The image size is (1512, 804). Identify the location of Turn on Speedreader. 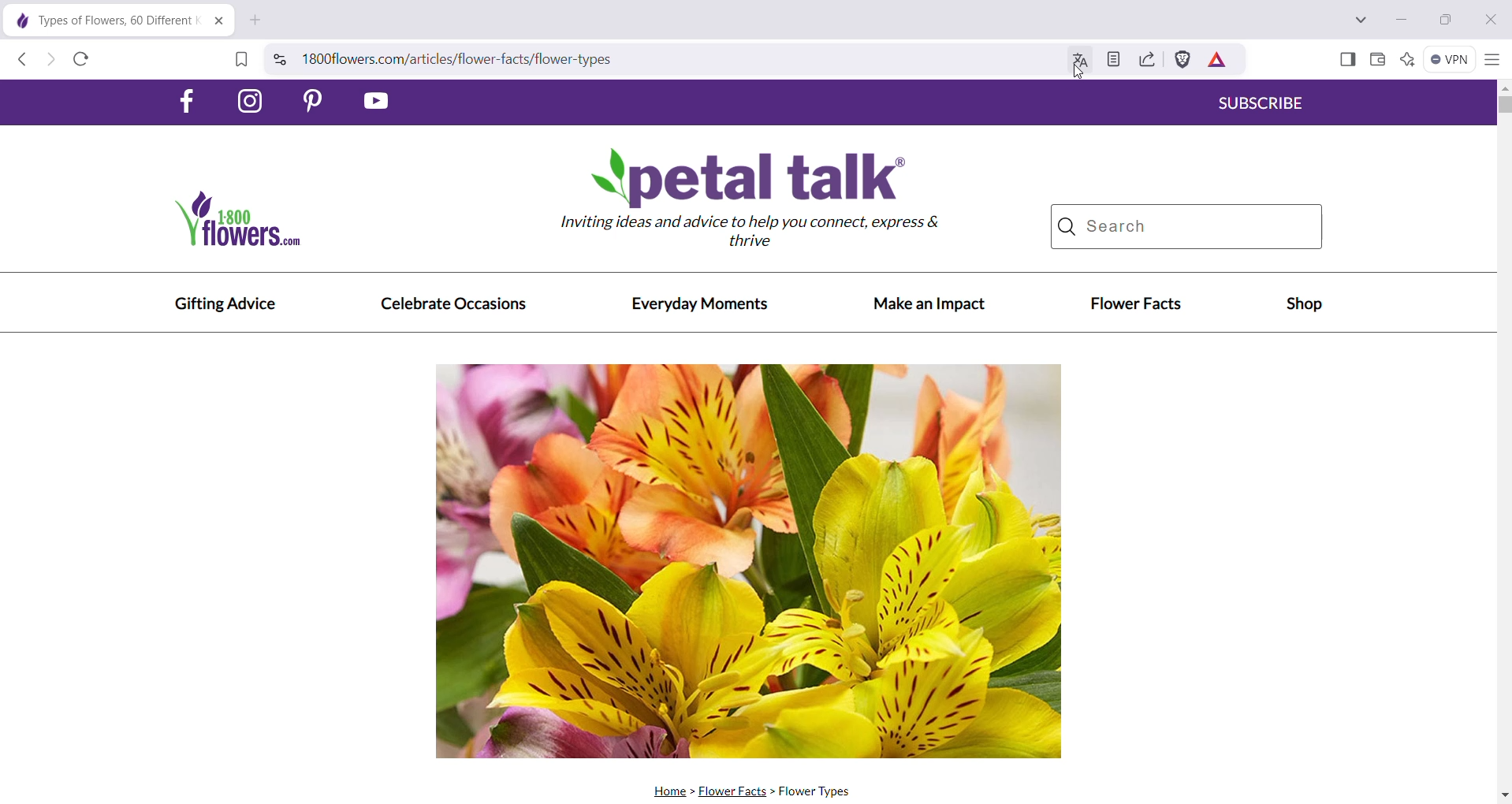
(1112, 60).